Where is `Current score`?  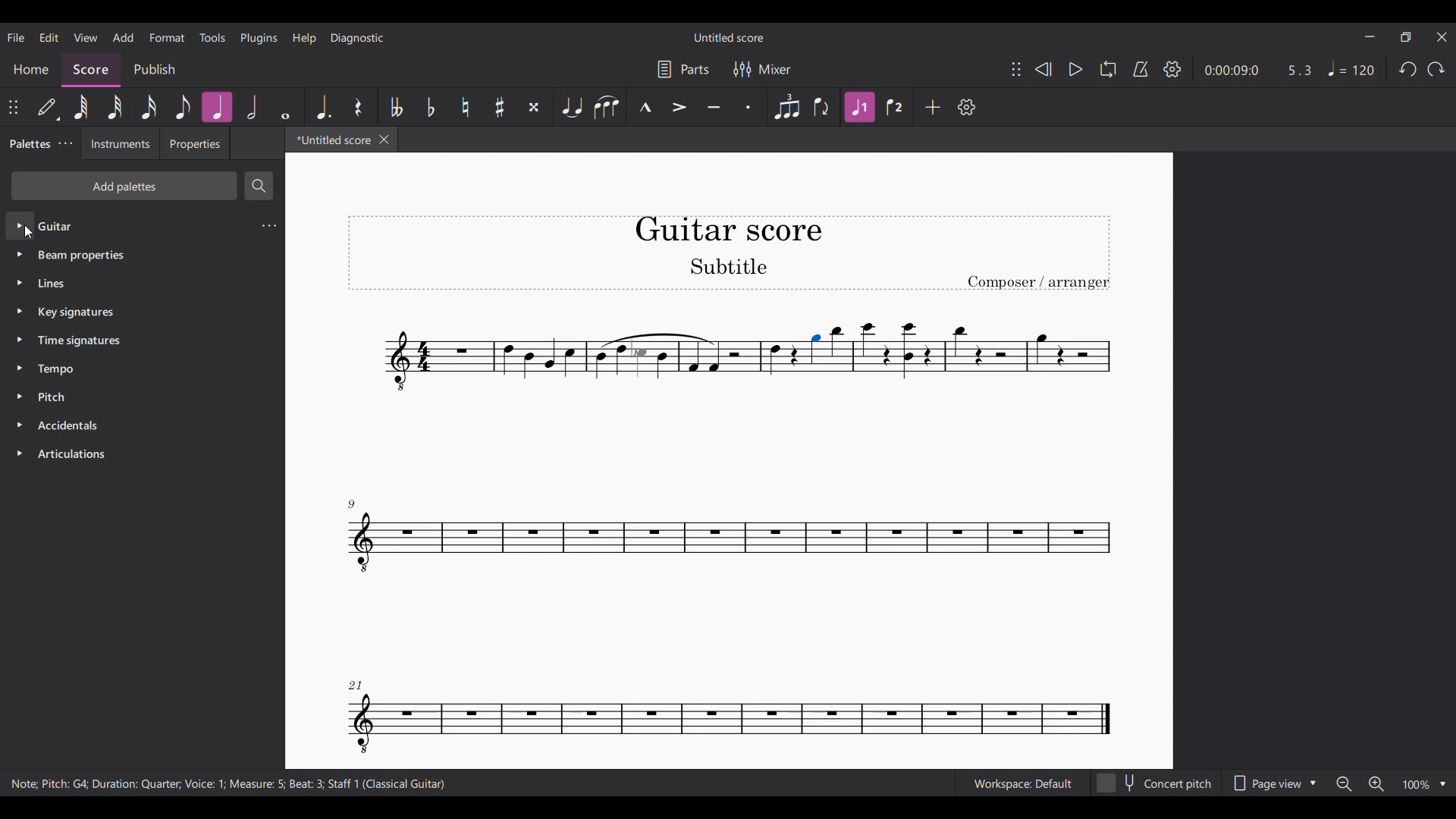 Current score is located at coordinates (543, 460).